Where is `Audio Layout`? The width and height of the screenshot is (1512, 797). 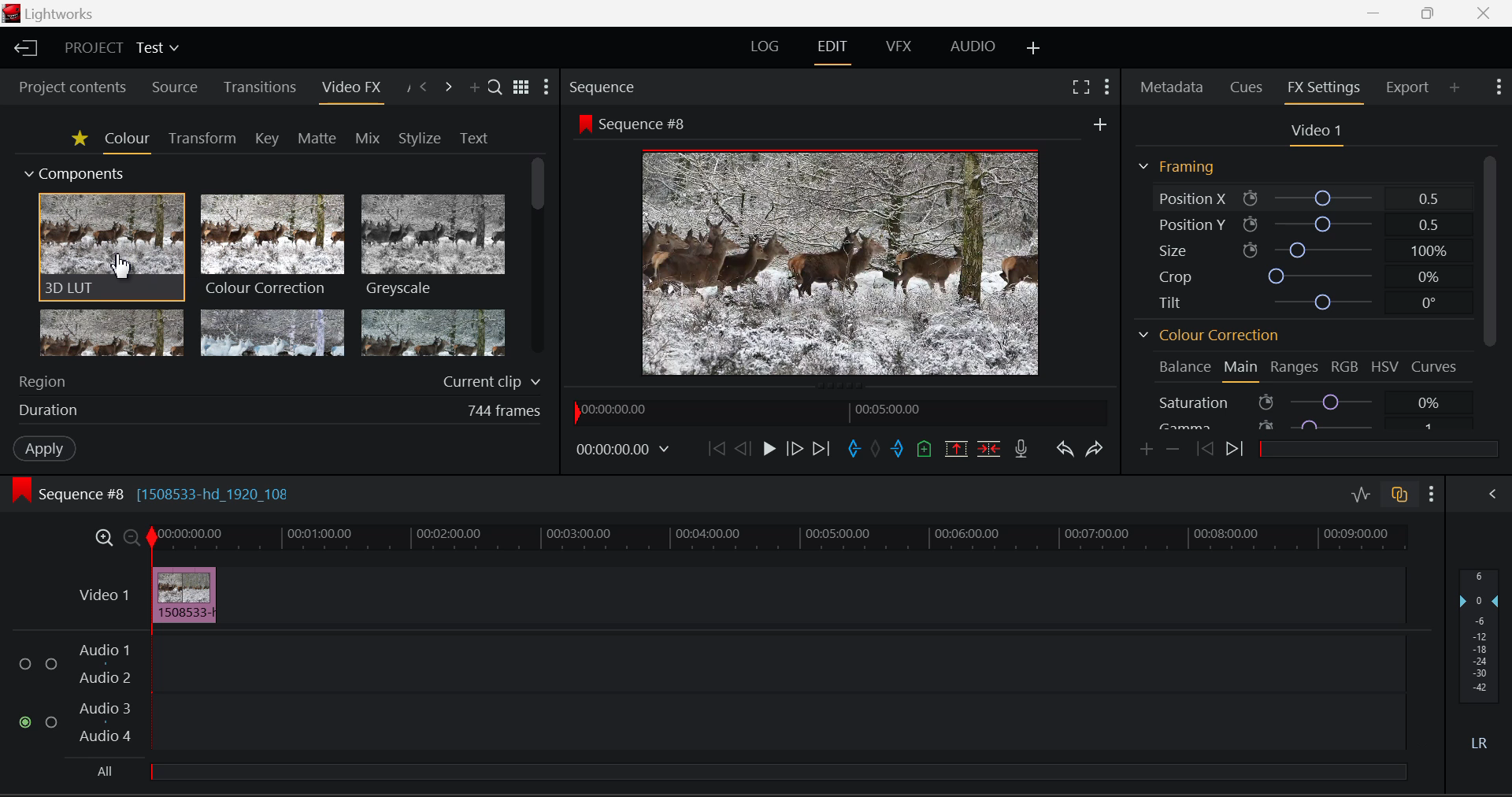
Audio Layout is located at coordinates (970, 47).